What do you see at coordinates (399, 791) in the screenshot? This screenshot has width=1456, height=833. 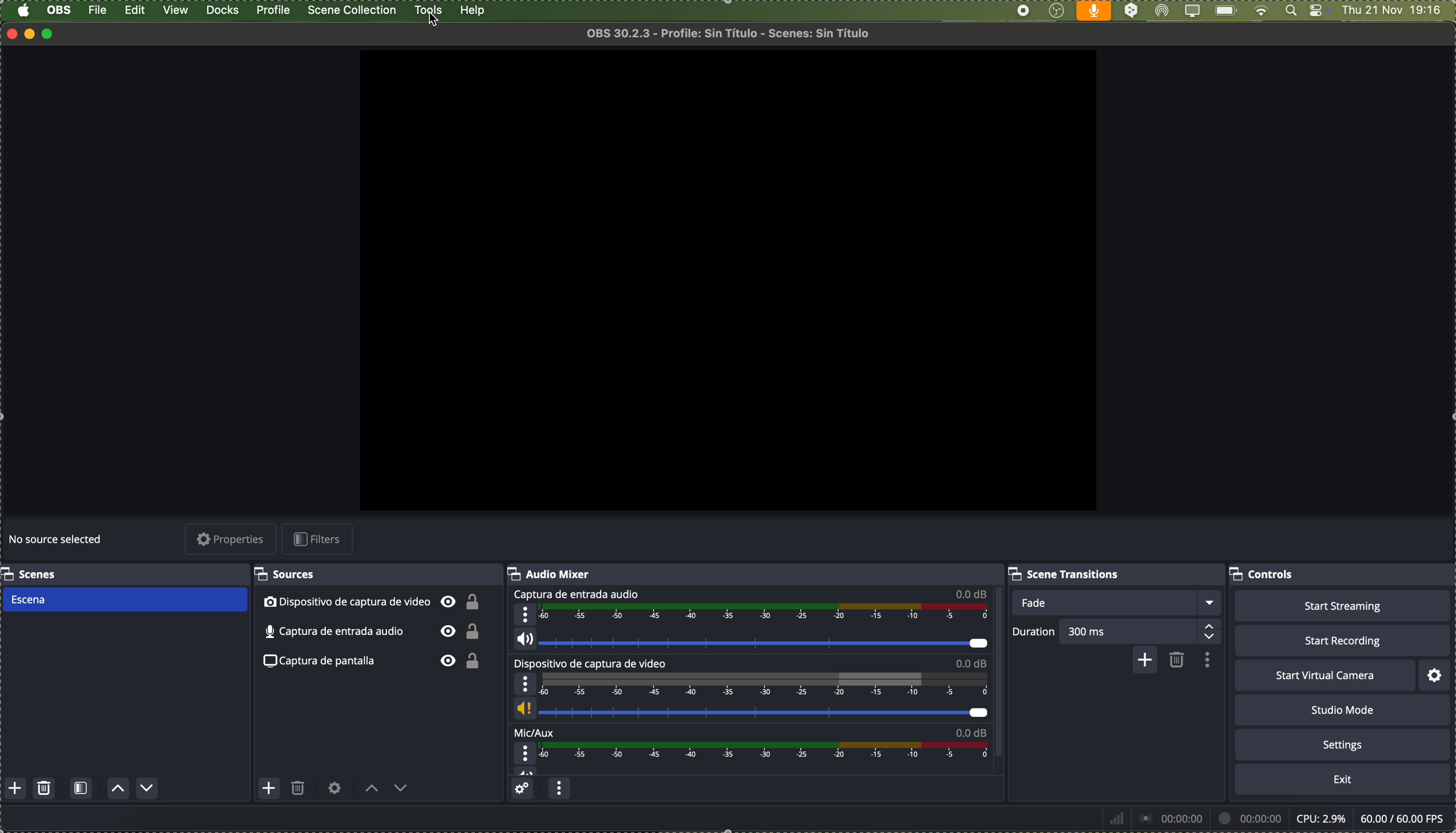 I see `move source down` at bounding box center [399, 791].